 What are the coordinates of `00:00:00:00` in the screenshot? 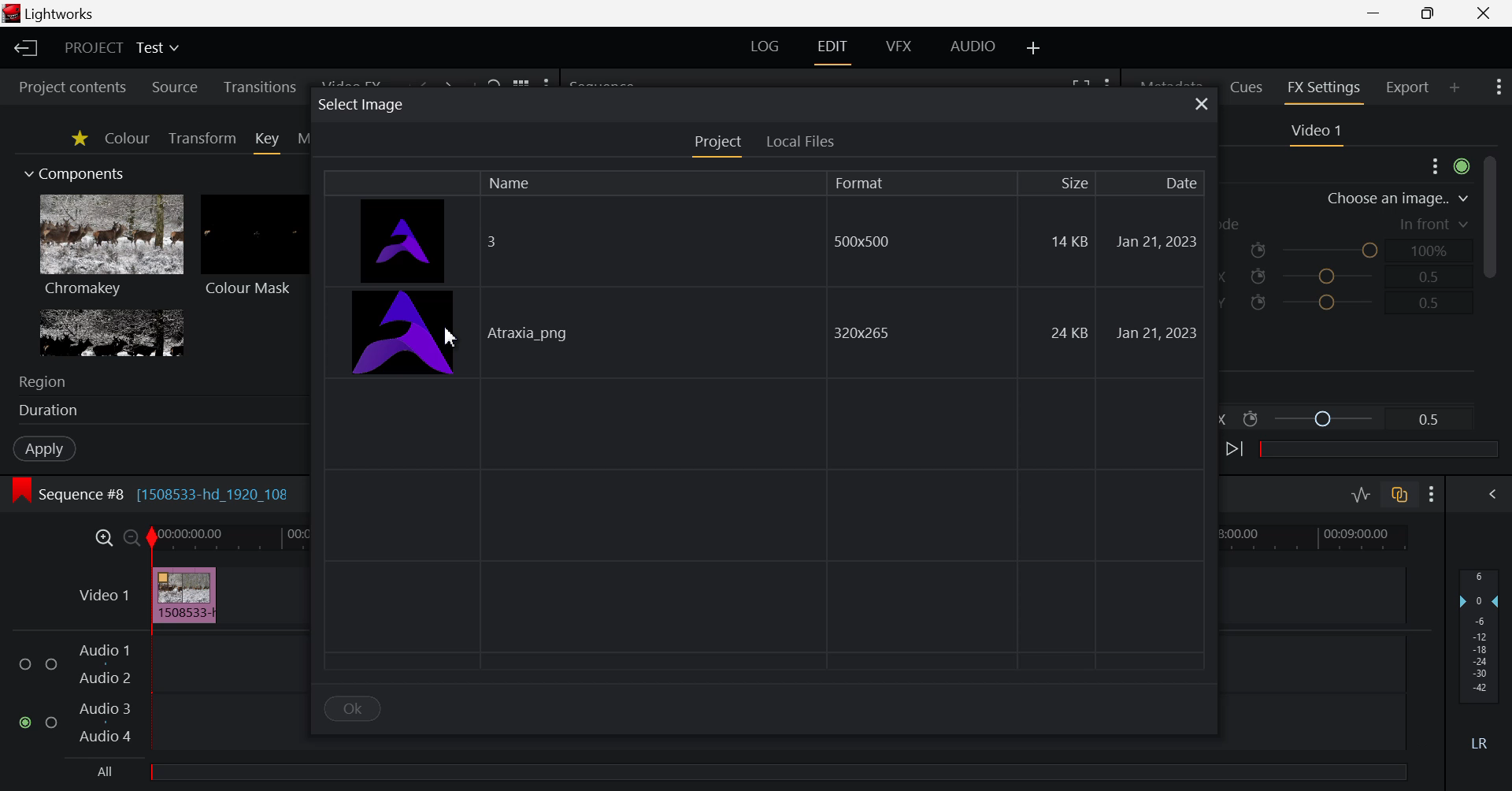 It's located at (191, 533).